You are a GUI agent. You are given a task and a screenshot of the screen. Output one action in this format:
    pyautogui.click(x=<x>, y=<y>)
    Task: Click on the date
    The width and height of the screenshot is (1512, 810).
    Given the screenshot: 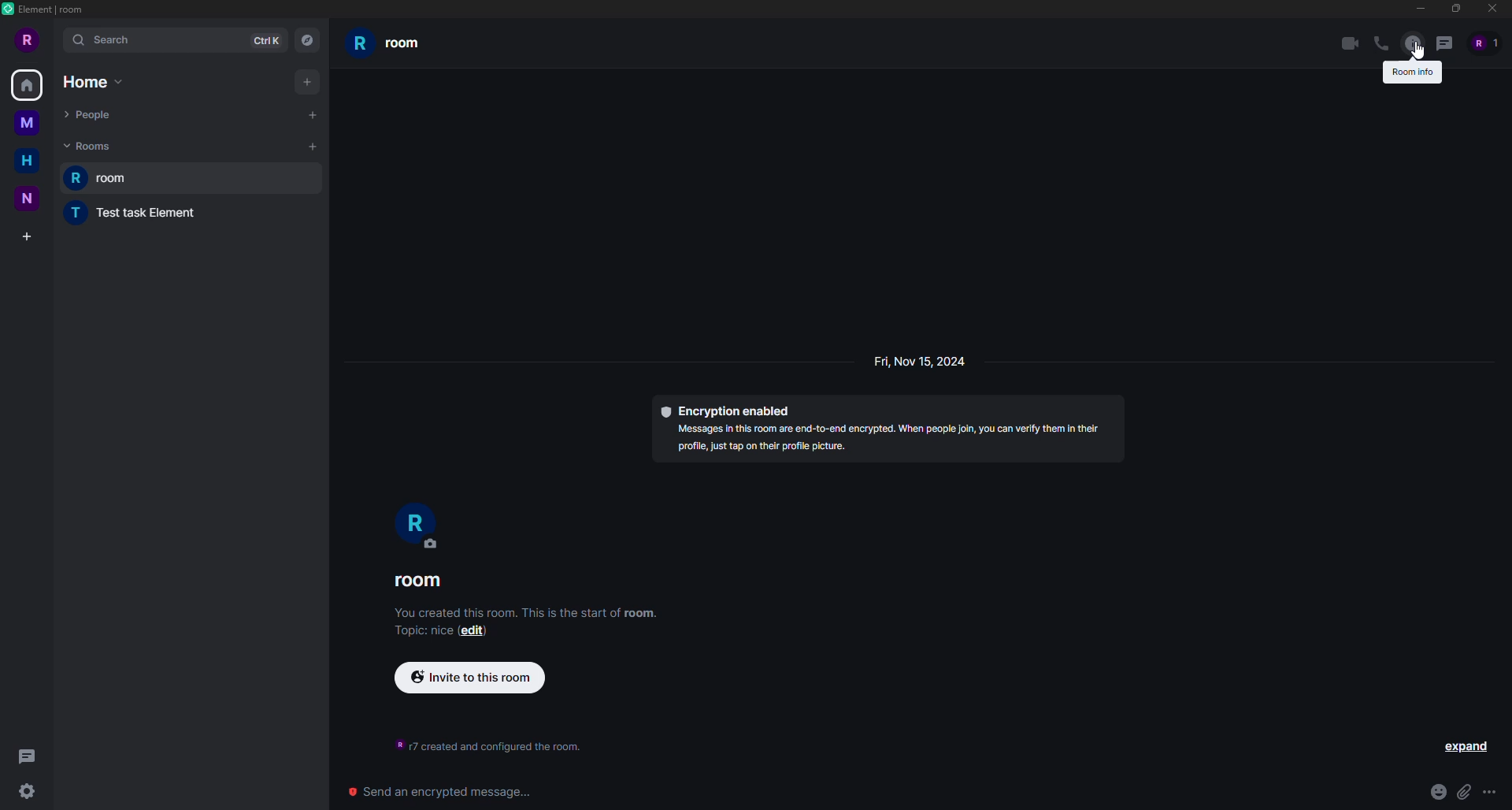 What is the action you would take?
    pyautogui.click(x=919, y=364)
    